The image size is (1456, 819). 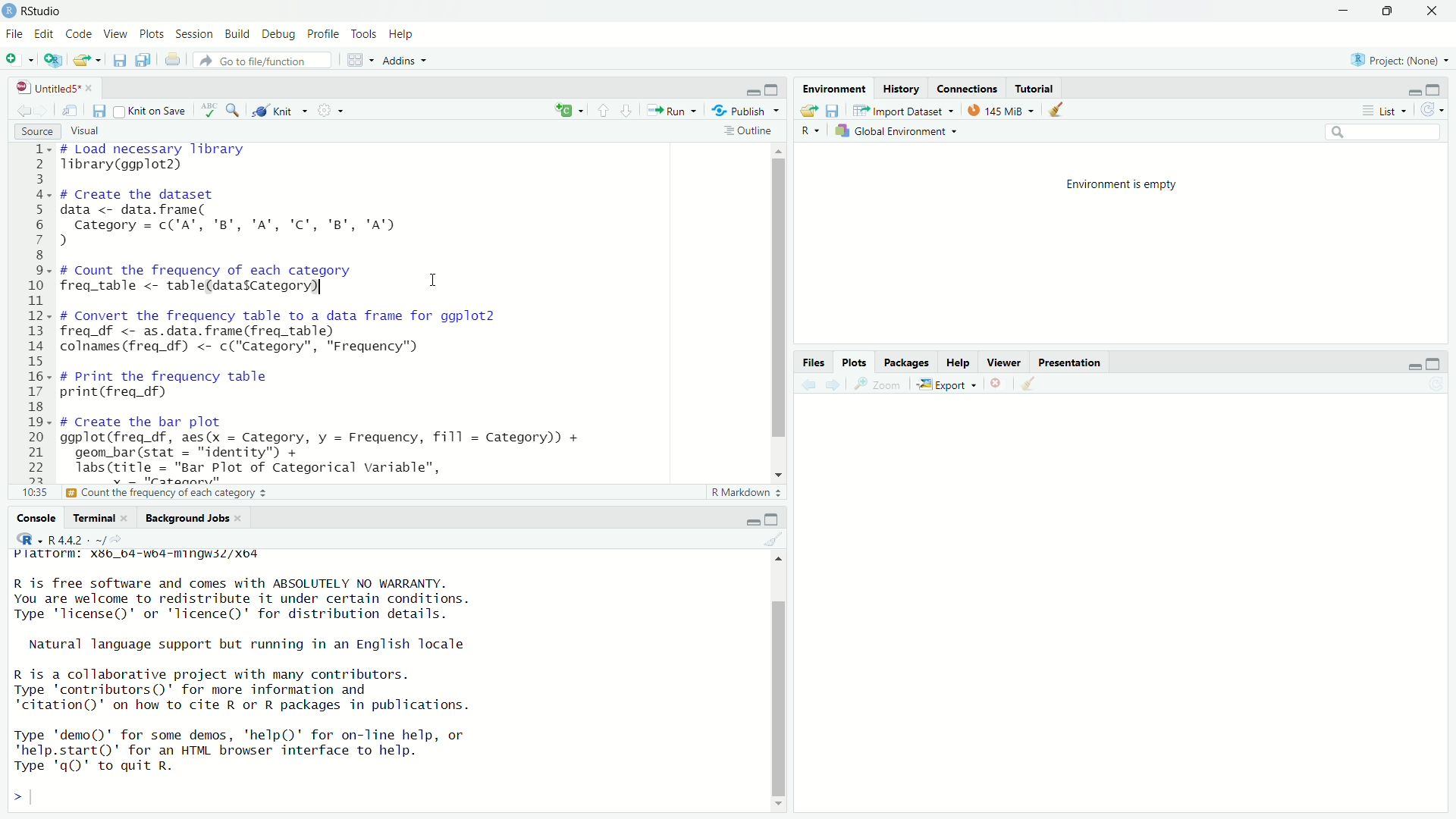 What do you see at coordinates (432, 280) in the screenshot?
I see `cursor` at bounding box center [432, 280].